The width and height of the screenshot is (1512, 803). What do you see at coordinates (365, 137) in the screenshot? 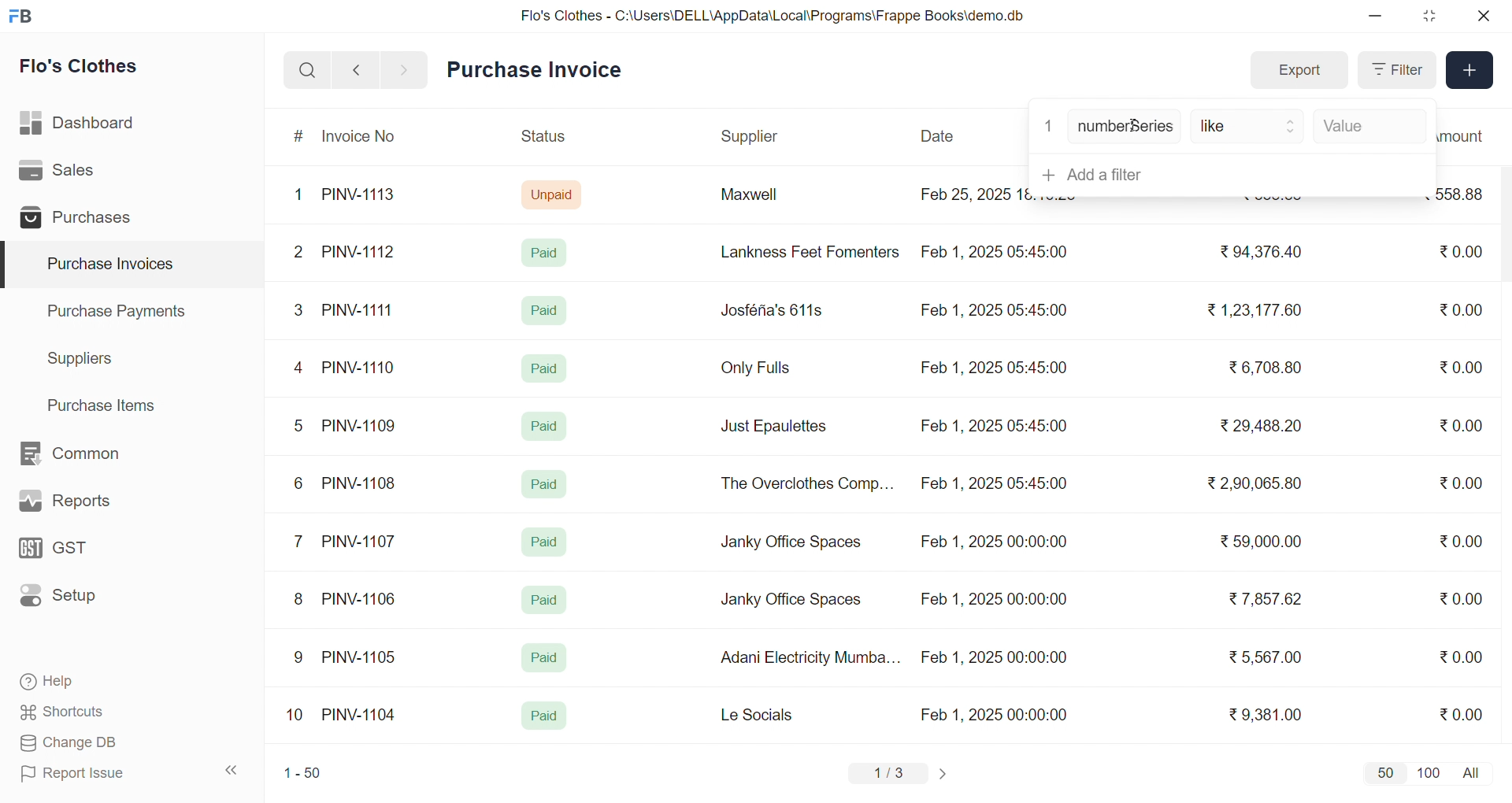
I see `Invoice No` at bounding box center [365, 137].